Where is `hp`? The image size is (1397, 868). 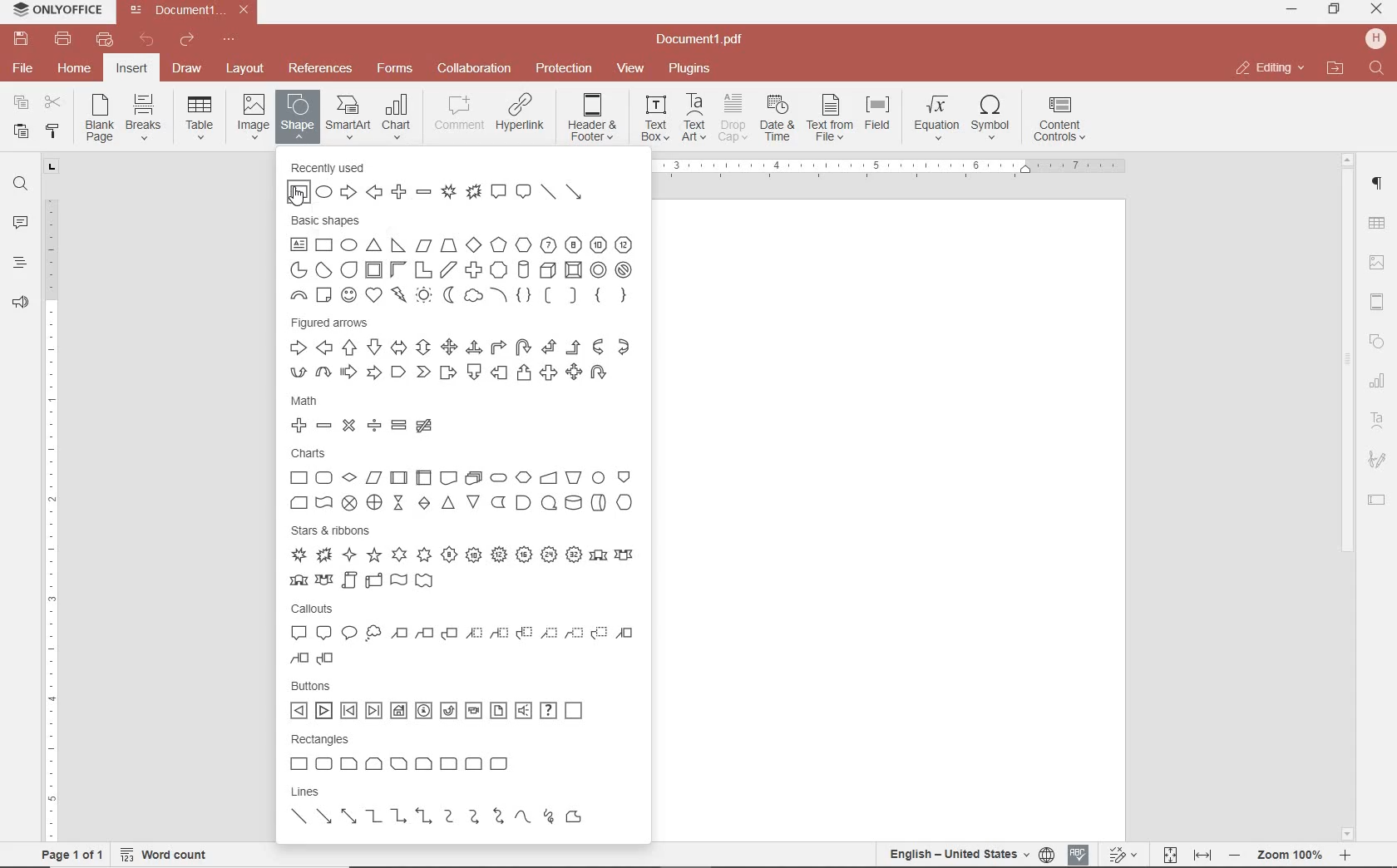
hp is located at coordinates (1379, 38).